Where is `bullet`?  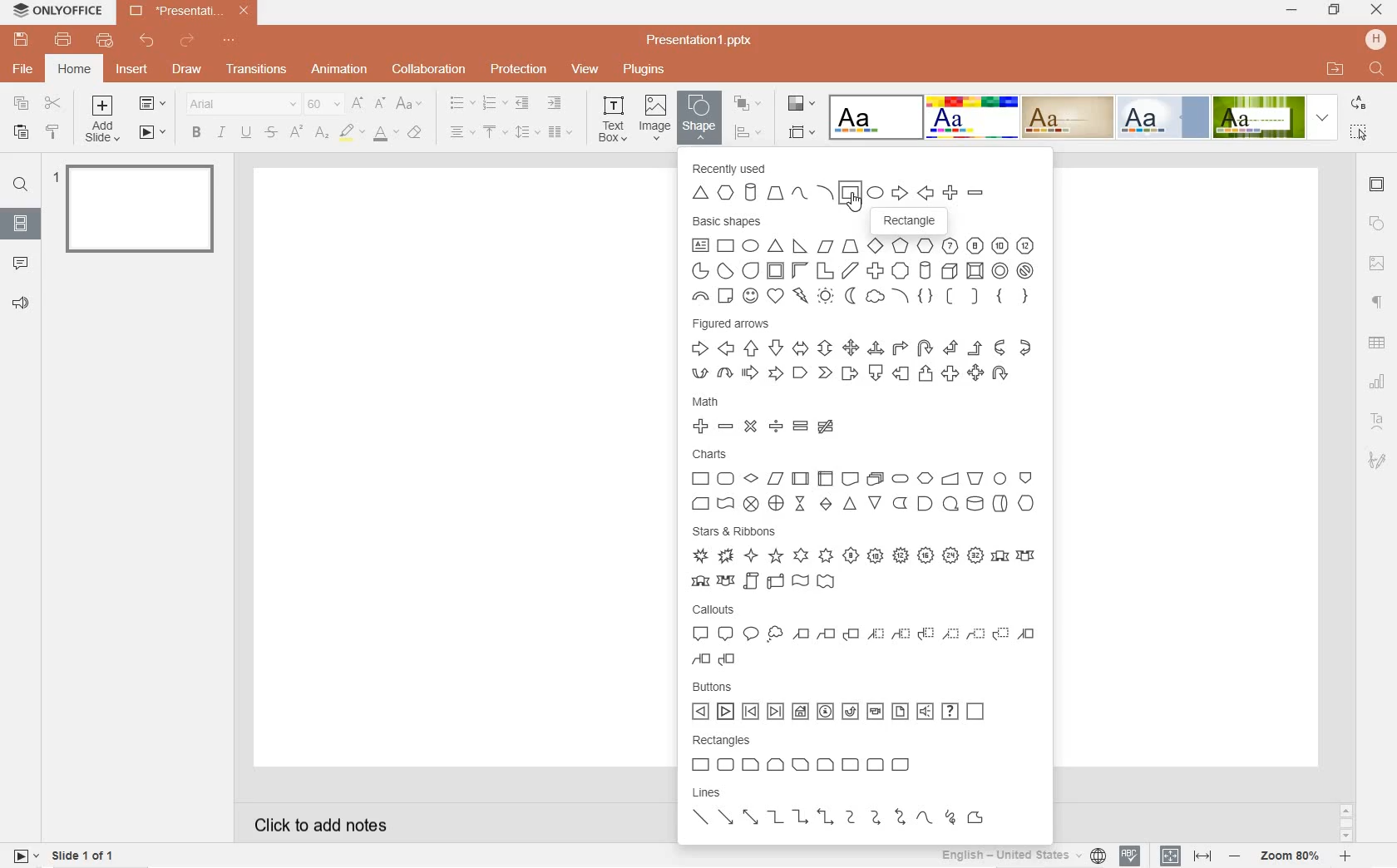 bullet is located at coordinates (462, 103).